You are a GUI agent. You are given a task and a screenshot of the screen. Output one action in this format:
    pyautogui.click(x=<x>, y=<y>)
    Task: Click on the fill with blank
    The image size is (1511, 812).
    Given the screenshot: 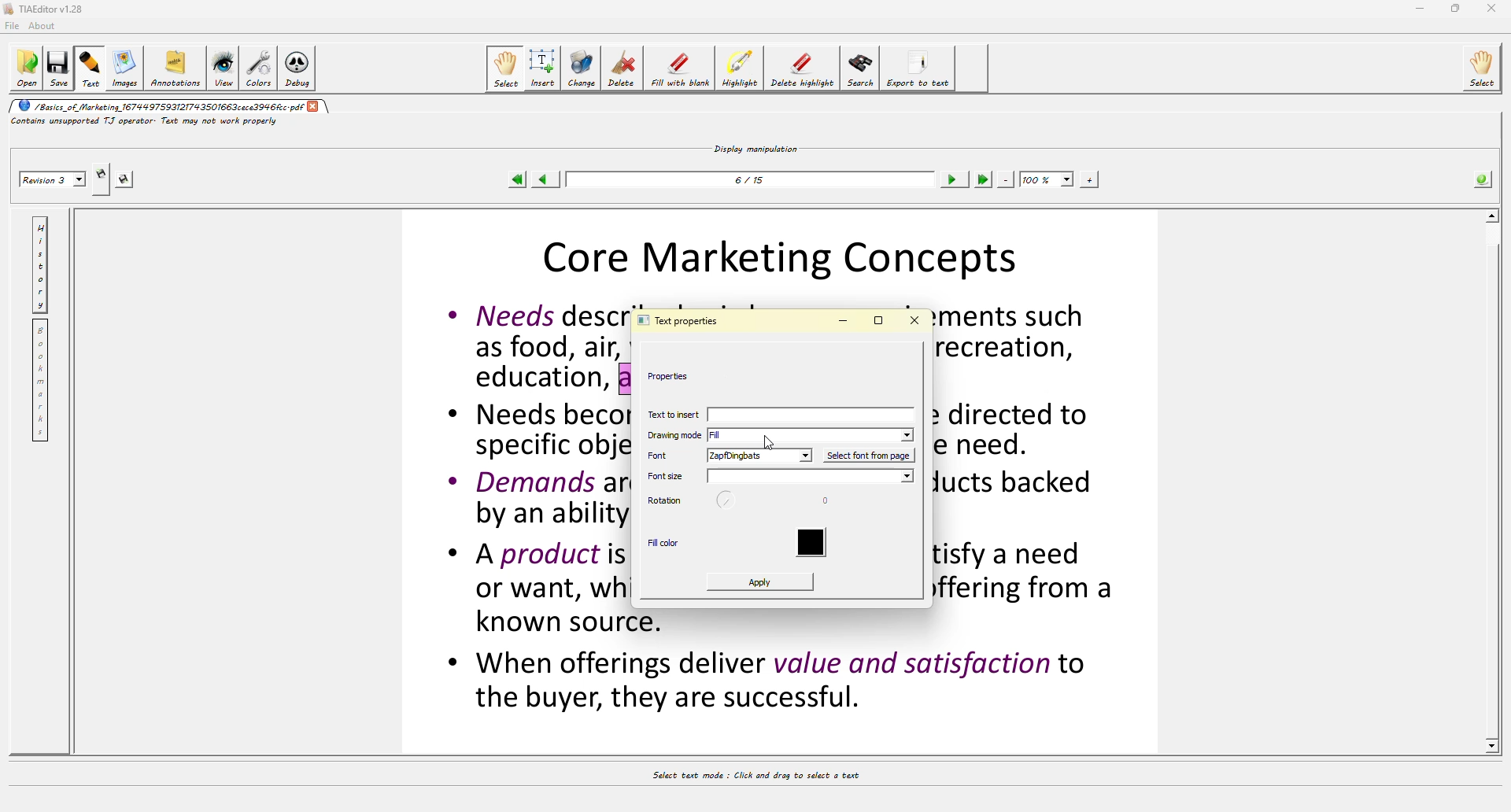 What is the action you would take?
    pyautogui.click(x=678, y=71)
    